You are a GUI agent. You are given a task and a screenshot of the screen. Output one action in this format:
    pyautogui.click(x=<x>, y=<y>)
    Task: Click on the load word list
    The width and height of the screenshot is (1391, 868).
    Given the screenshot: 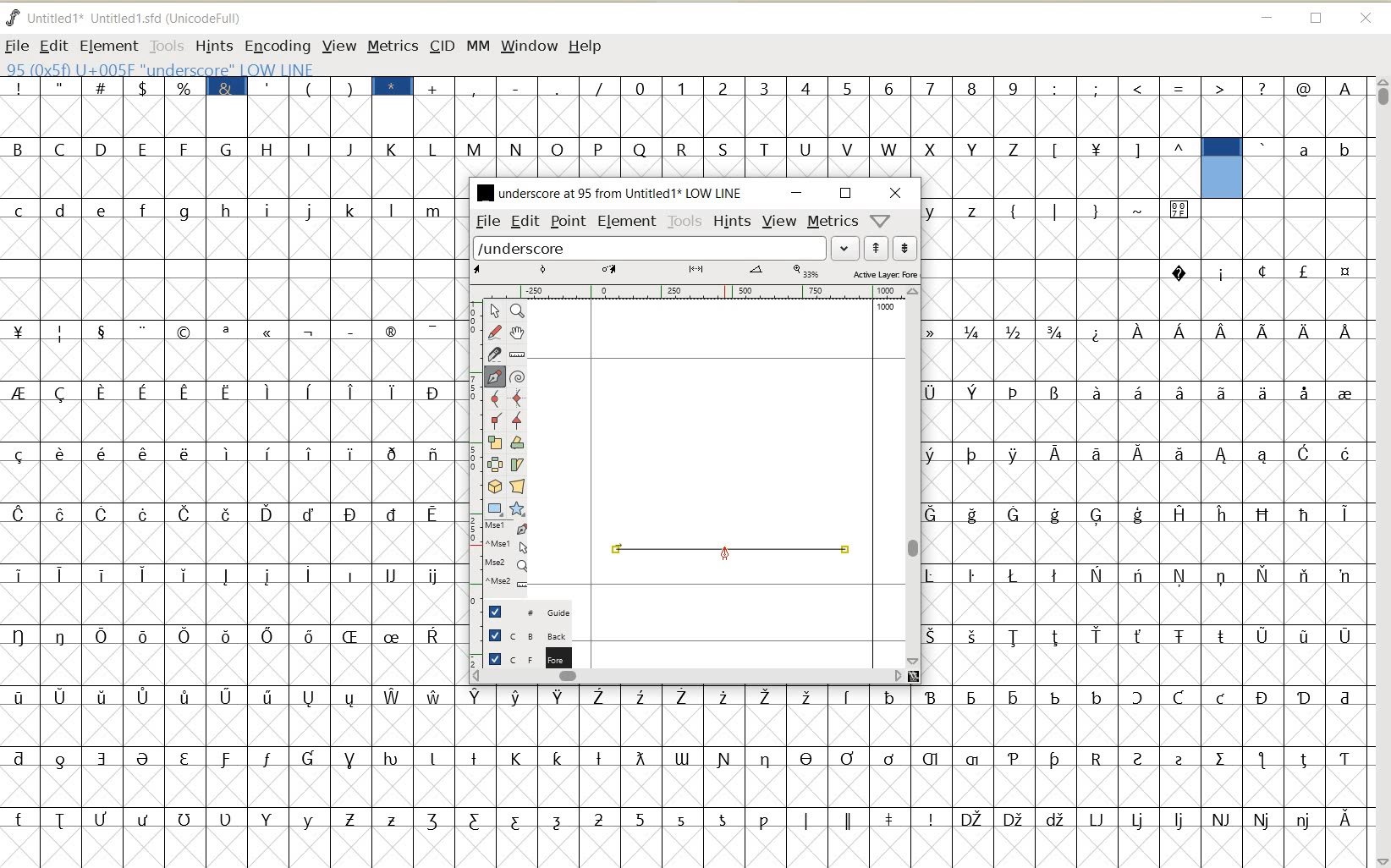 What is the action you would take?
    pyautogui.click(x=650, y=247)
    